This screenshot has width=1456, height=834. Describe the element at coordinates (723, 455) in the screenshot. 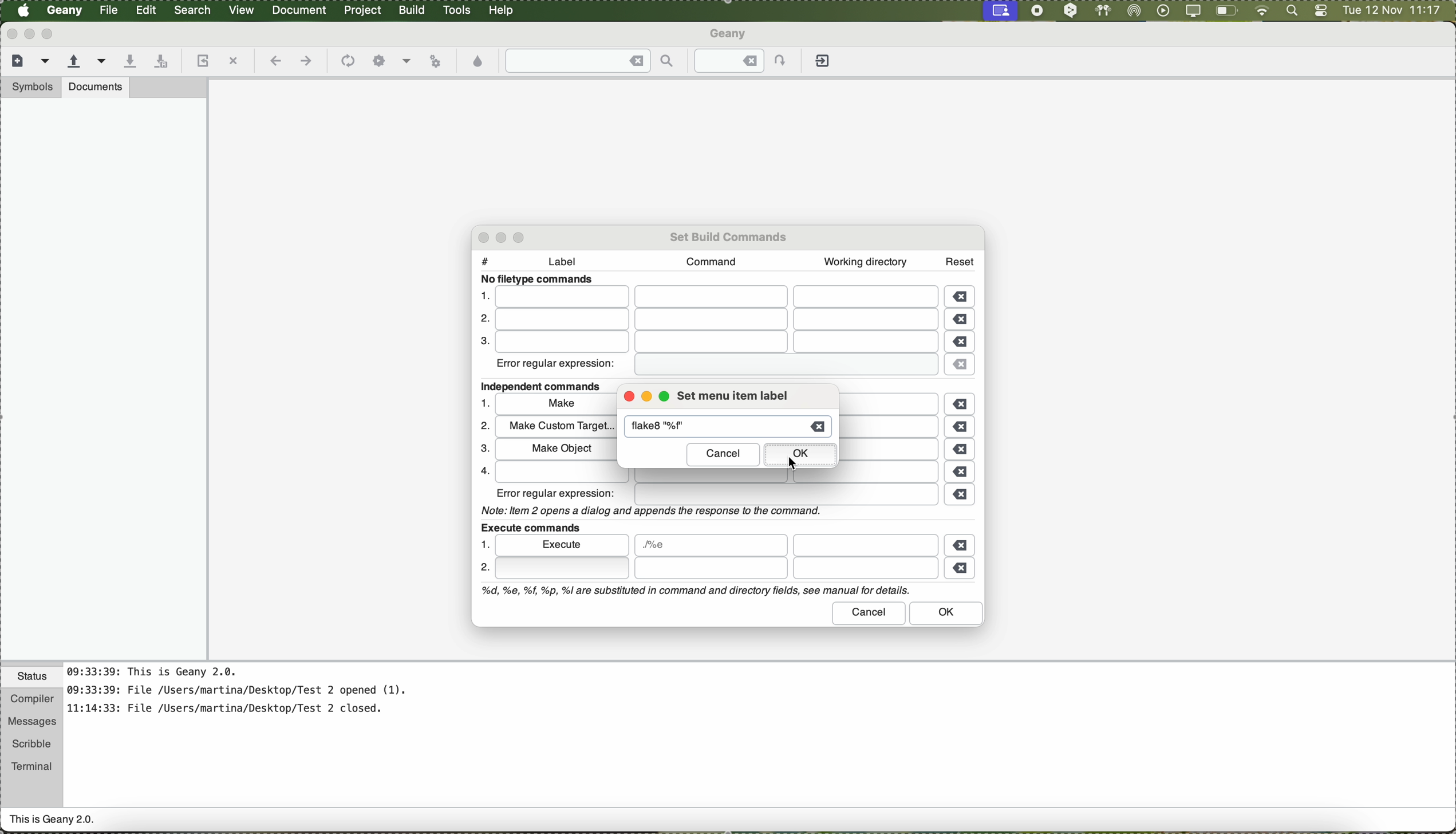

I see `cancel button` at that location.